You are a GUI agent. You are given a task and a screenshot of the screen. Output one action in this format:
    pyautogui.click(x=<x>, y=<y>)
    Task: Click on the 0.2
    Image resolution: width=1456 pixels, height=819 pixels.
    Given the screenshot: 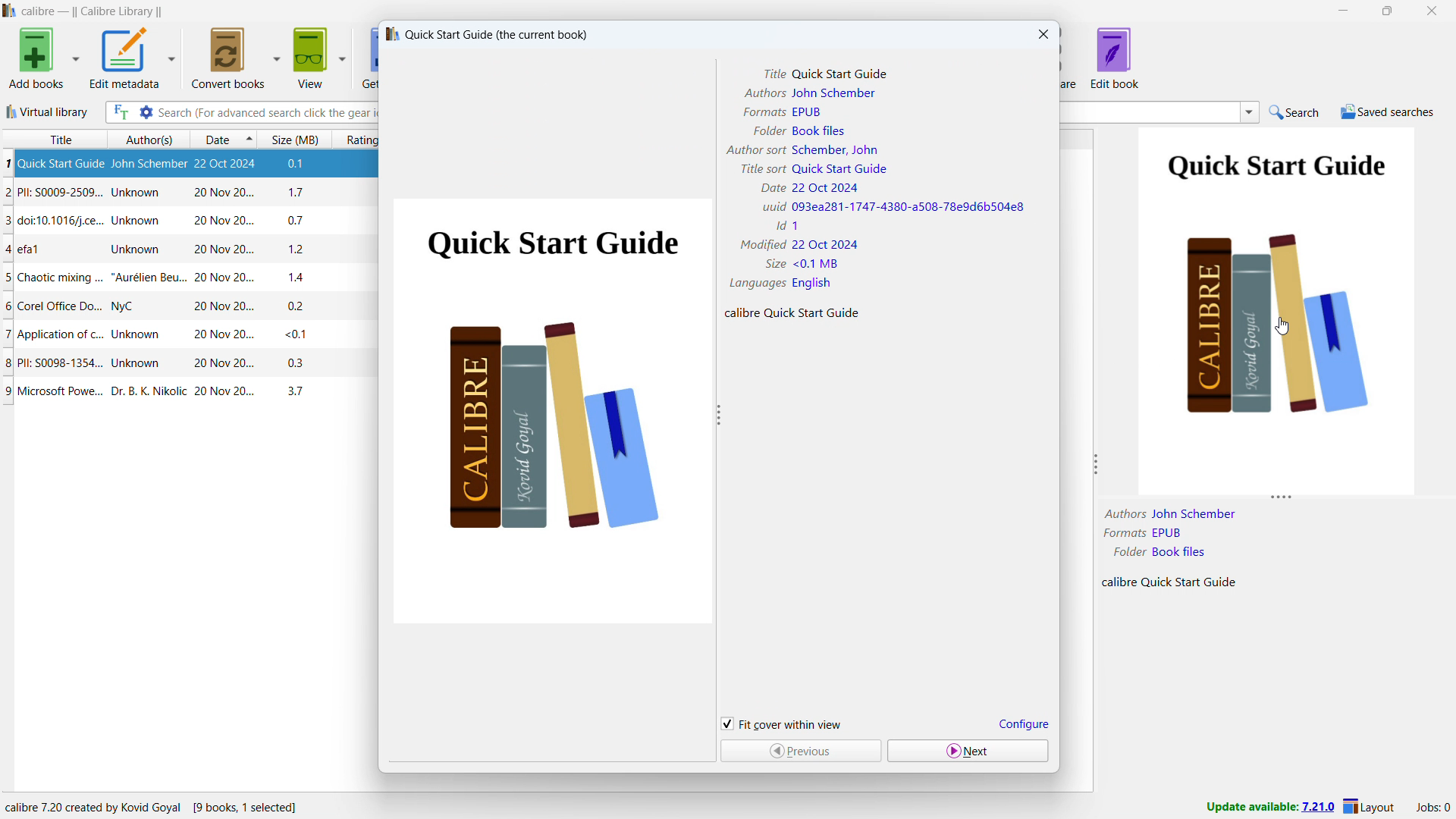 What is the action you would take?
    pyautogui.click(x=296, y=306)
    